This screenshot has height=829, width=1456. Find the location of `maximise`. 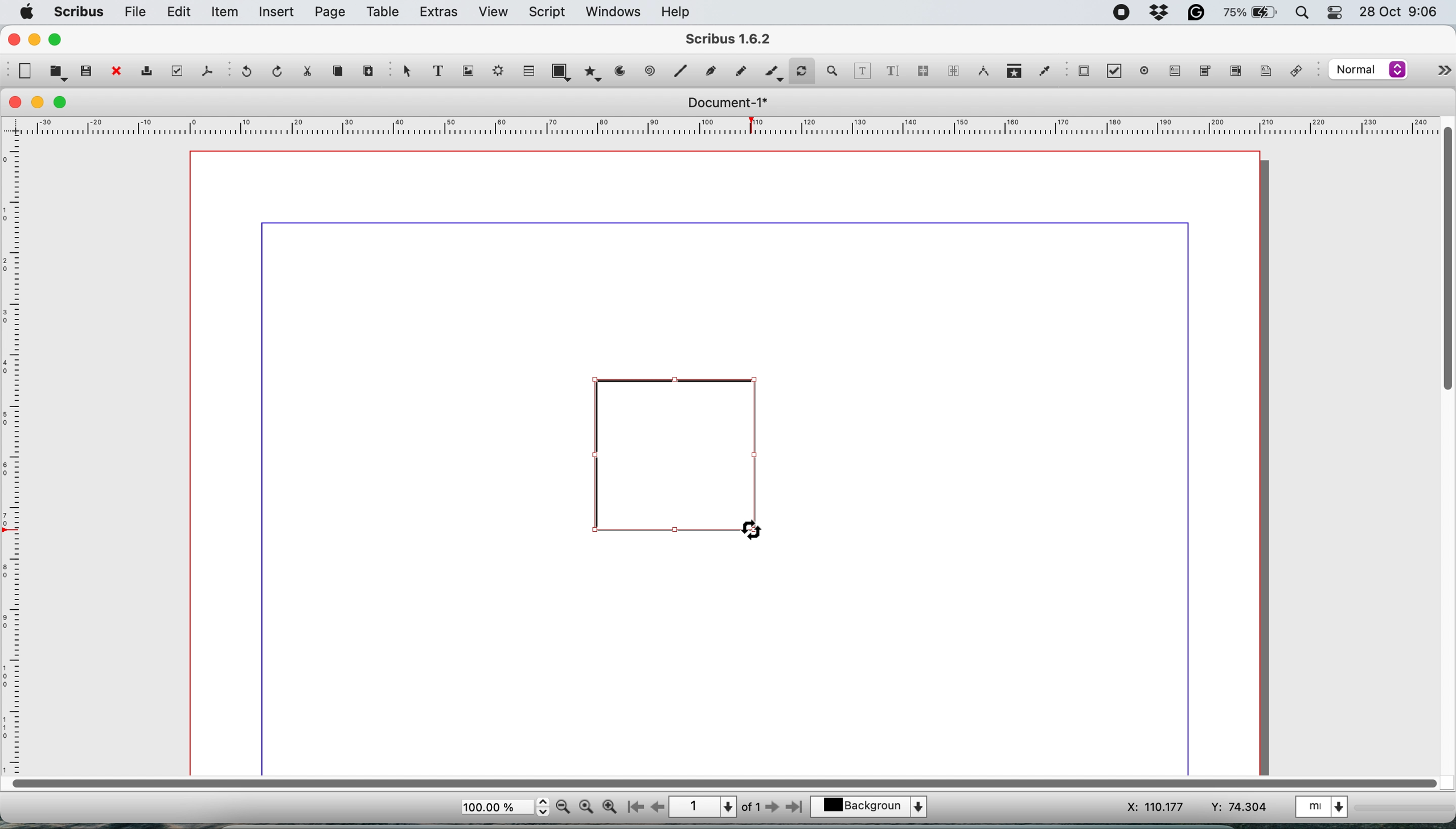

maximise is located at coordinates (63, 102).